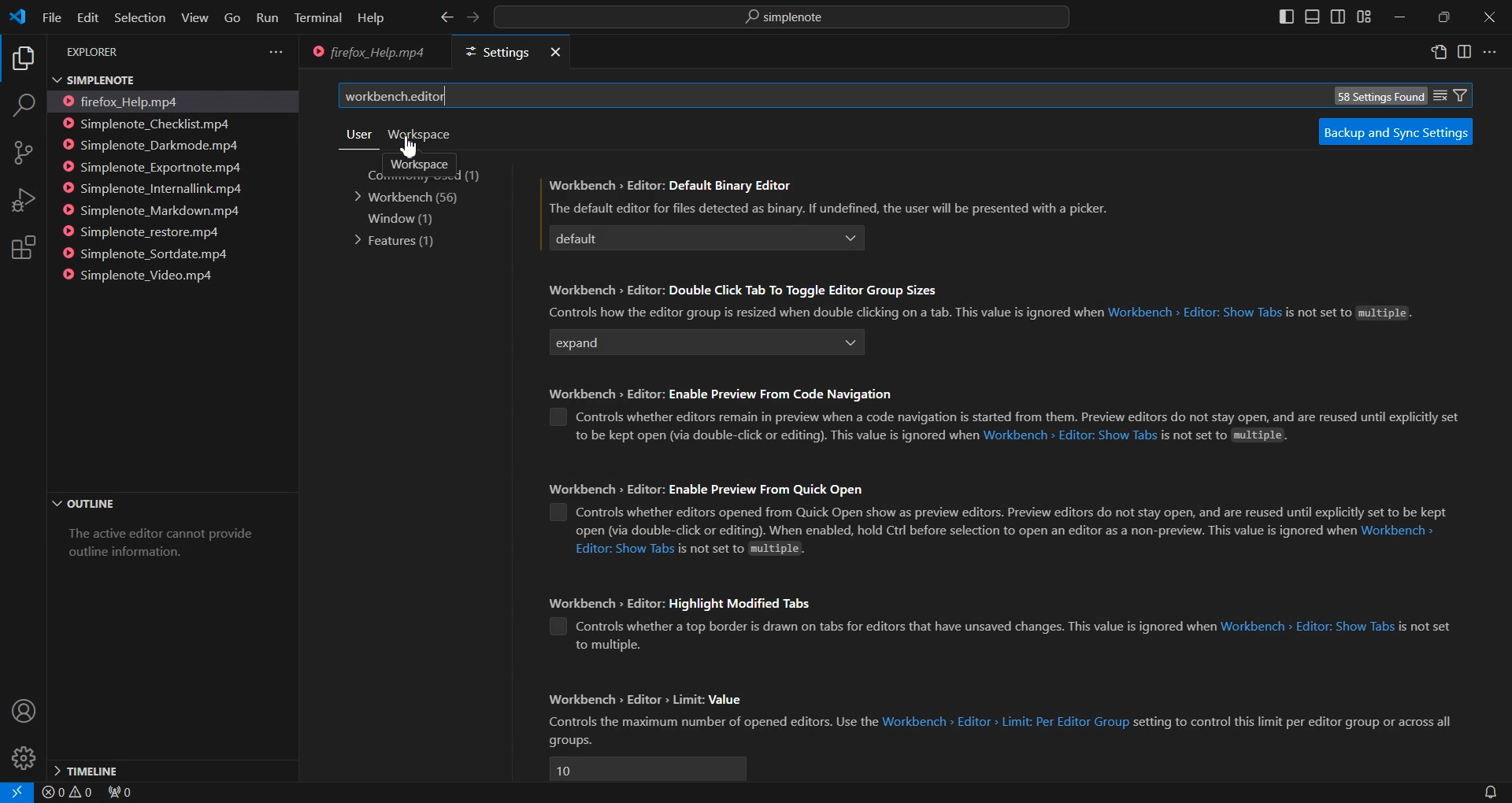 This screenshot has width=1512, height=803. I want to click on Controls whether editors opened from Quick Open show as preview editors. Preview editors do not stay open, and are reused until explicitly set to be kept, so click(1012, 512).